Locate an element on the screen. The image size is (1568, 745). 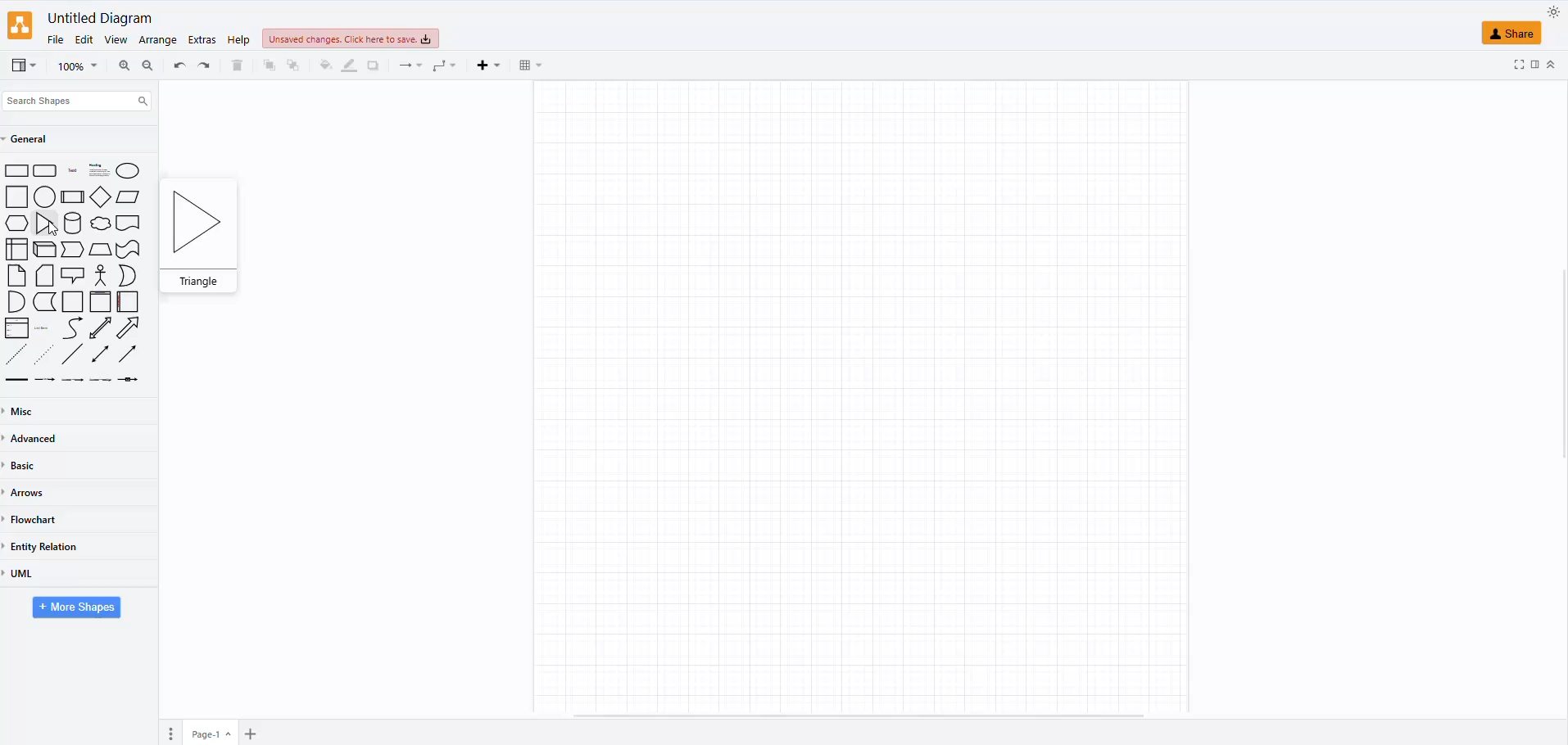
Labelled Arrow is located at coordinates (101, 380).